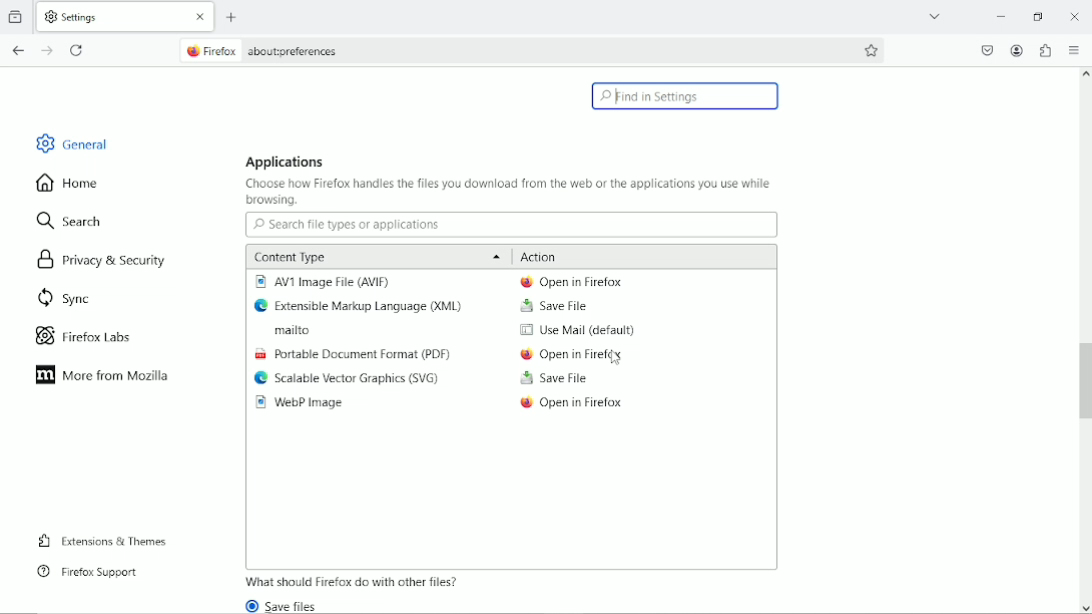 This screenshot has height=614, width=1092. Describe the element at coordinates (285, 331) in the screenshot. I see `mailto` at that location.